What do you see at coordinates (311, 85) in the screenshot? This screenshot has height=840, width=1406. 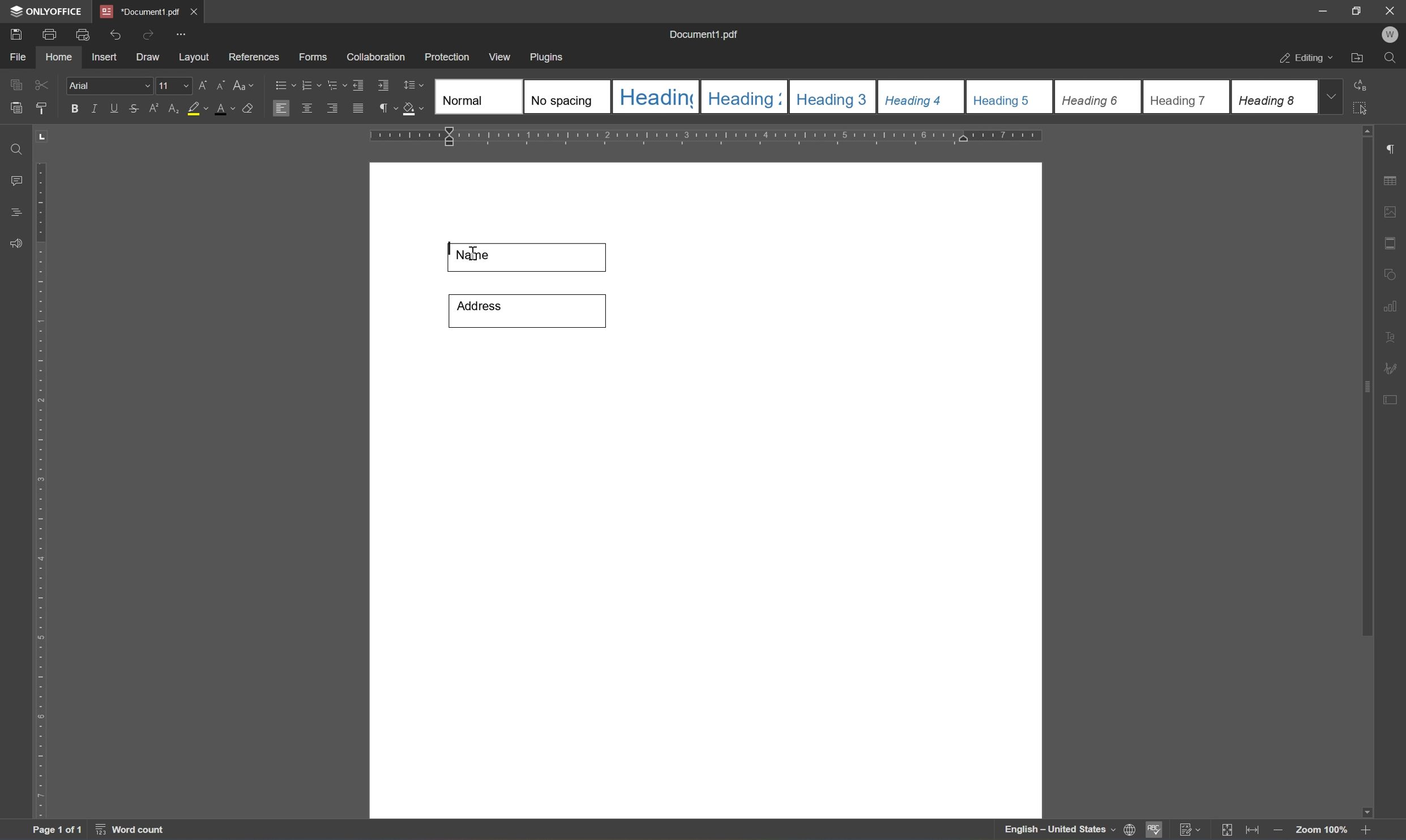 I see `numbering` at bounding box center [311, 85].